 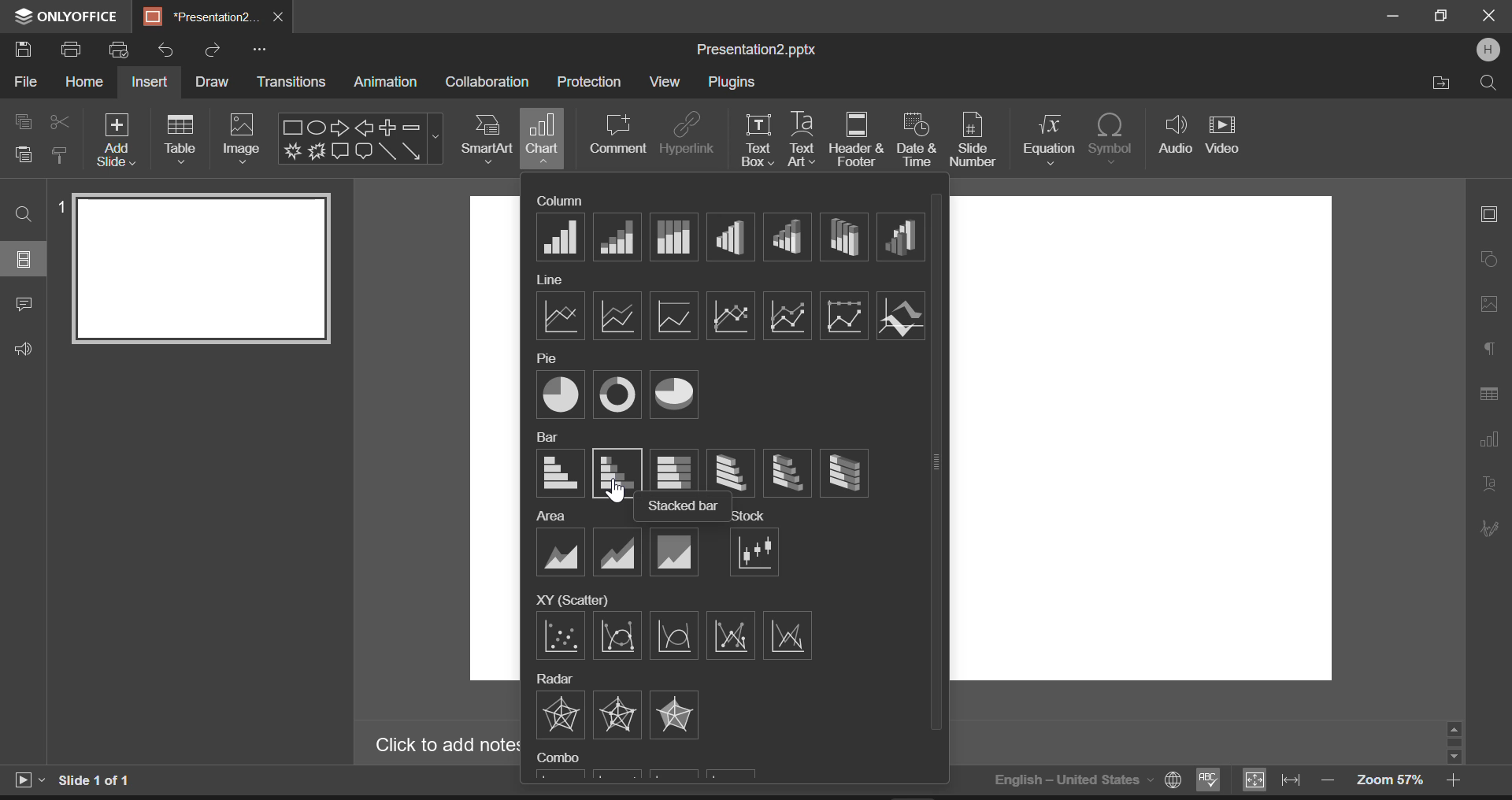 What do you see at coordinates (24, 213) in the screenshot?
I see `Find` at bounding box center [24, 213].